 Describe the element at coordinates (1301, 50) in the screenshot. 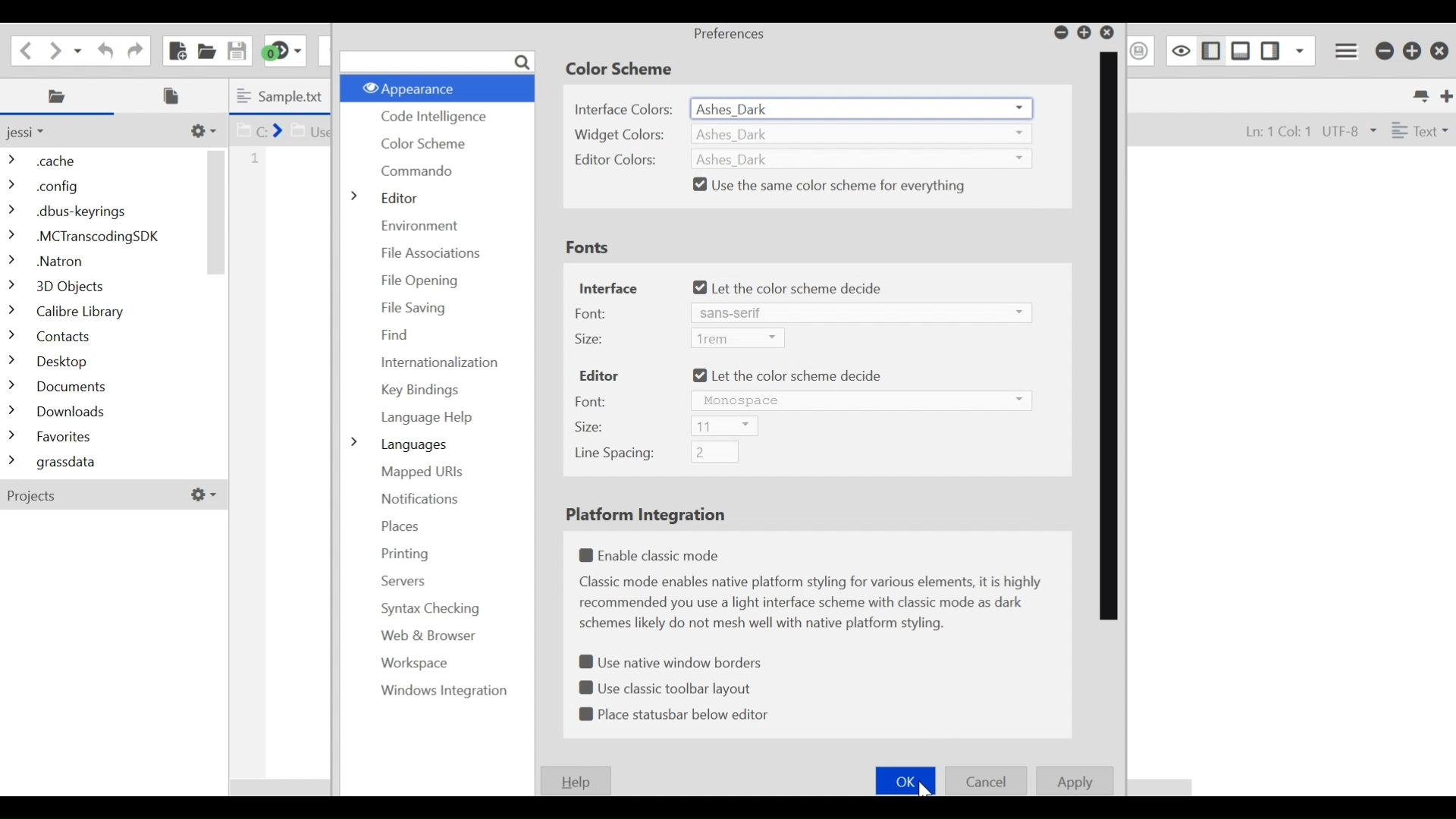

I see `Show specific Sidebar` at that location.